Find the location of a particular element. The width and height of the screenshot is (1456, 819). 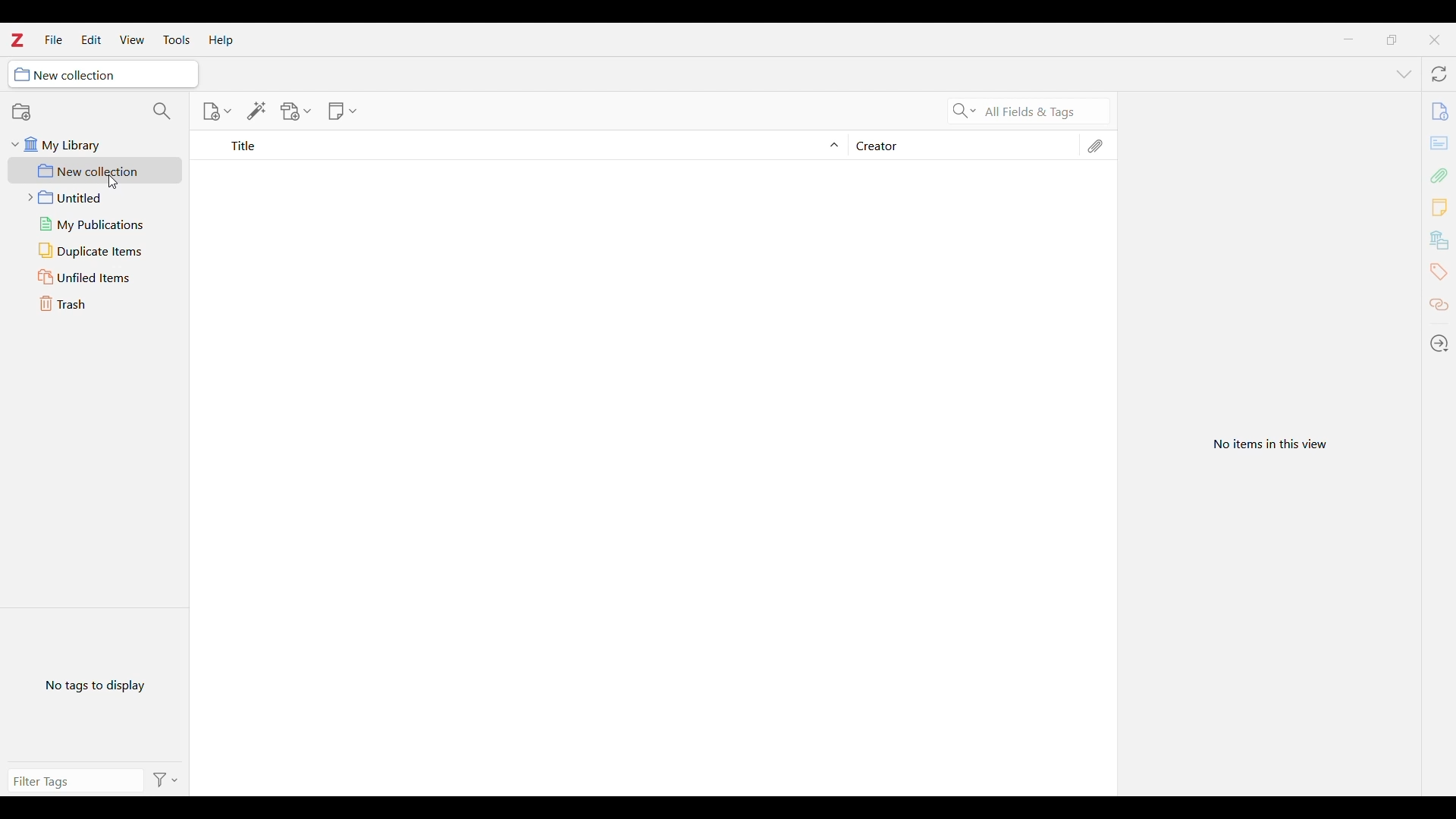

Add attachment  is located at coordinates (1440, 175).